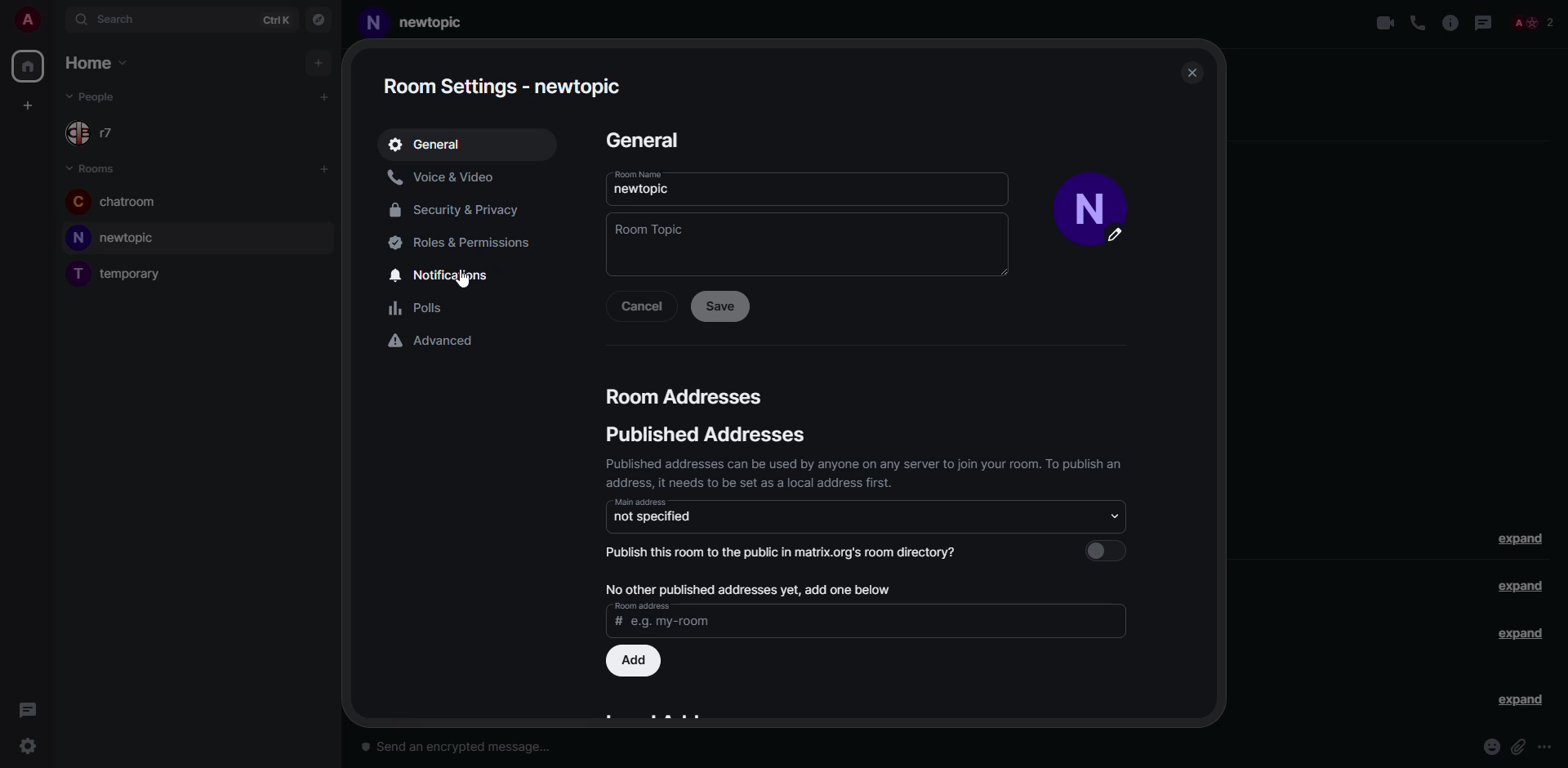 The height and width of the screenshot is (768, 1568). Describe the element at coordinates (318, 20) in the screenshot. I see `navigator` at that location.